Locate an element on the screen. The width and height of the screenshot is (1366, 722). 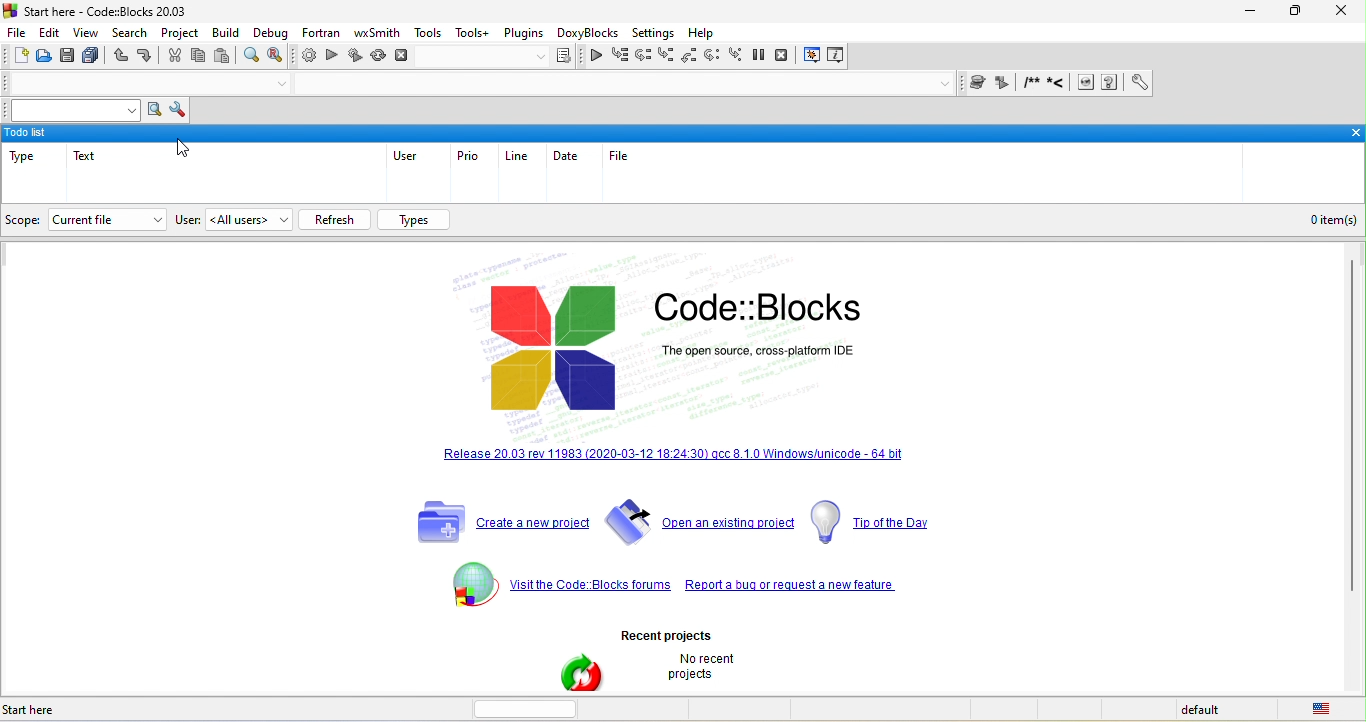
horizontal scroll bar is located at coordinates (534, 708).